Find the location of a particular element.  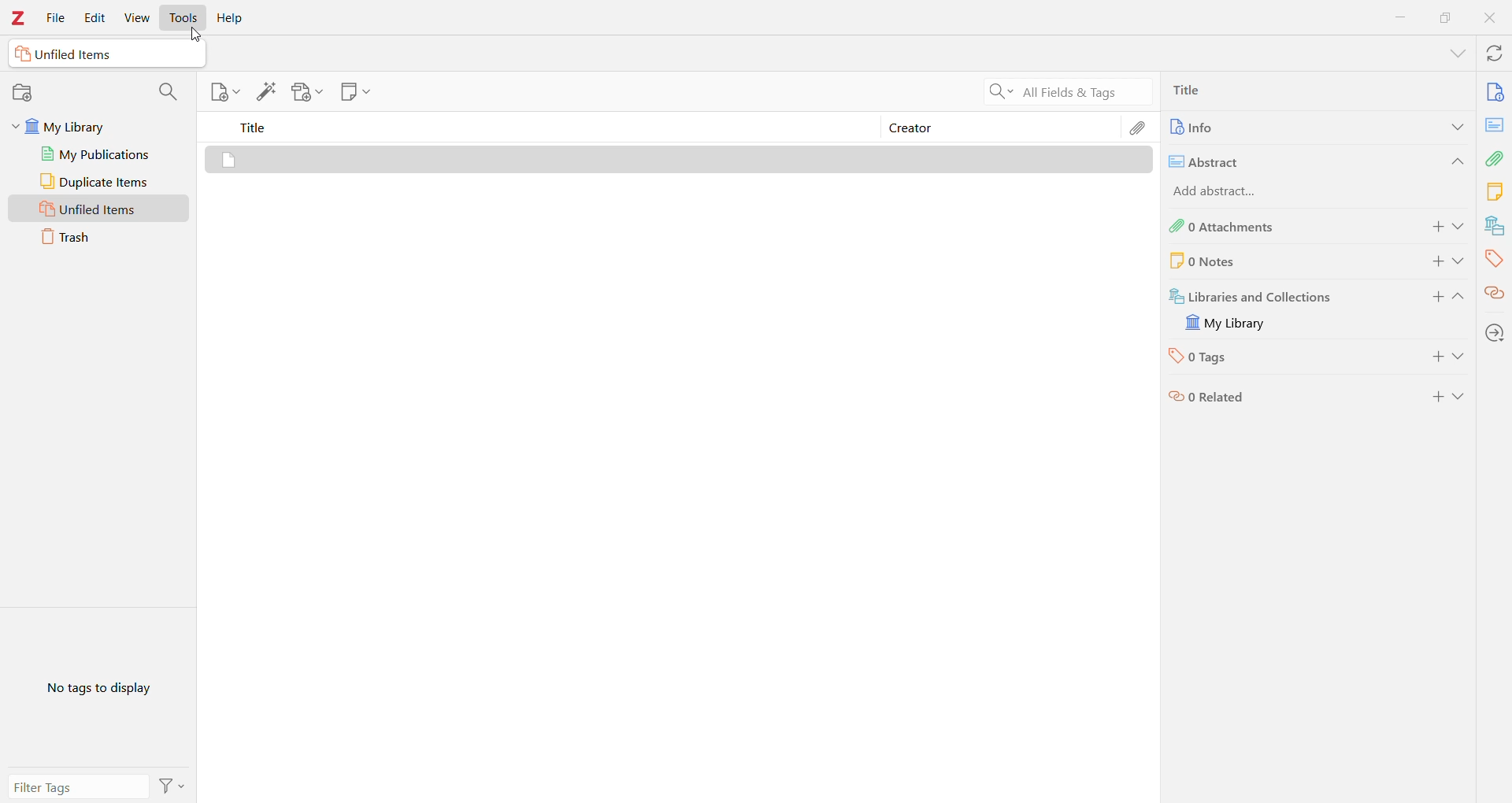

Add is located at coordinates (1433, 261).